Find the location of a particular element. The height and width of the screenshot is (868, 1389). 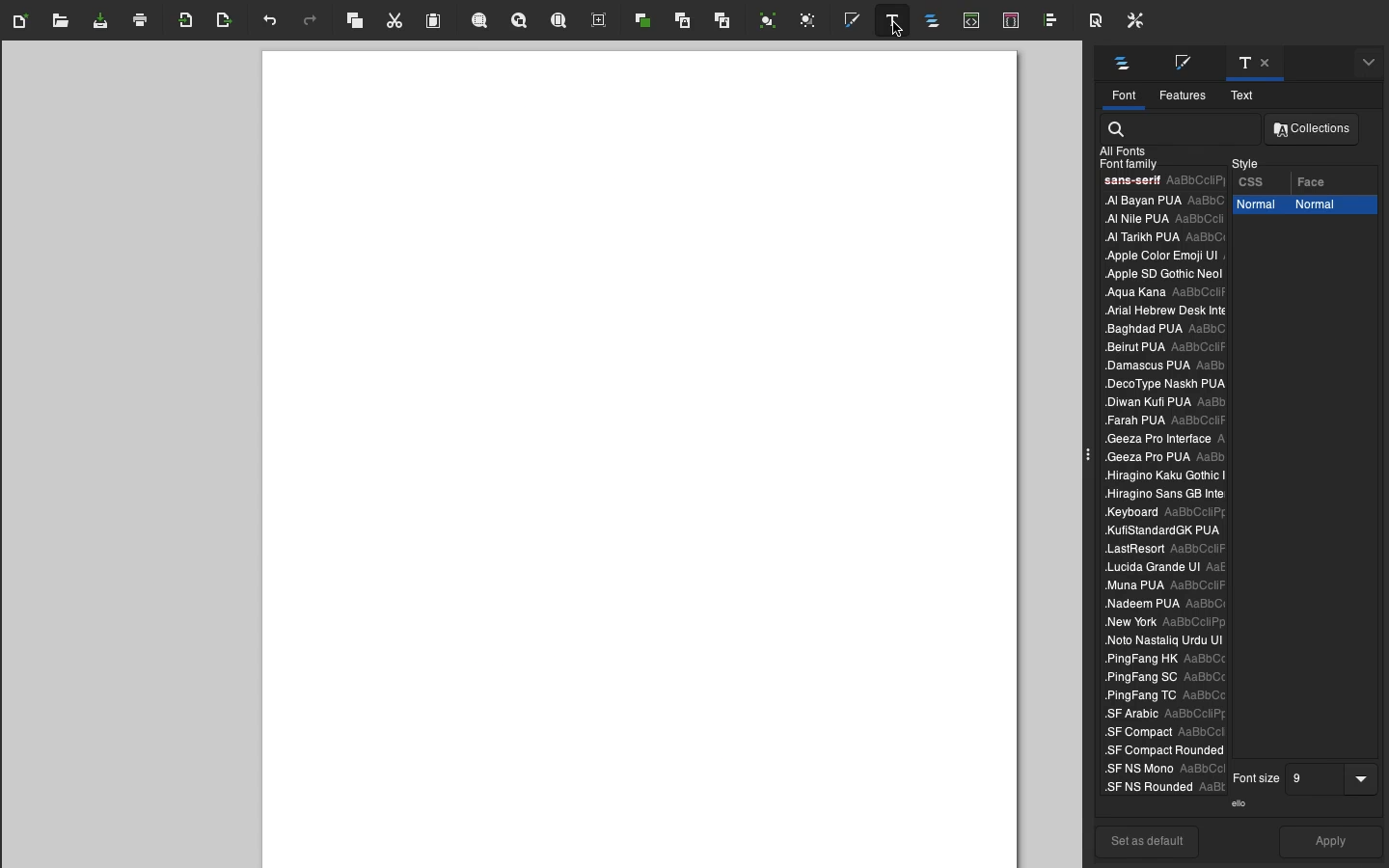

Face is located at coordinates (1319, 178).